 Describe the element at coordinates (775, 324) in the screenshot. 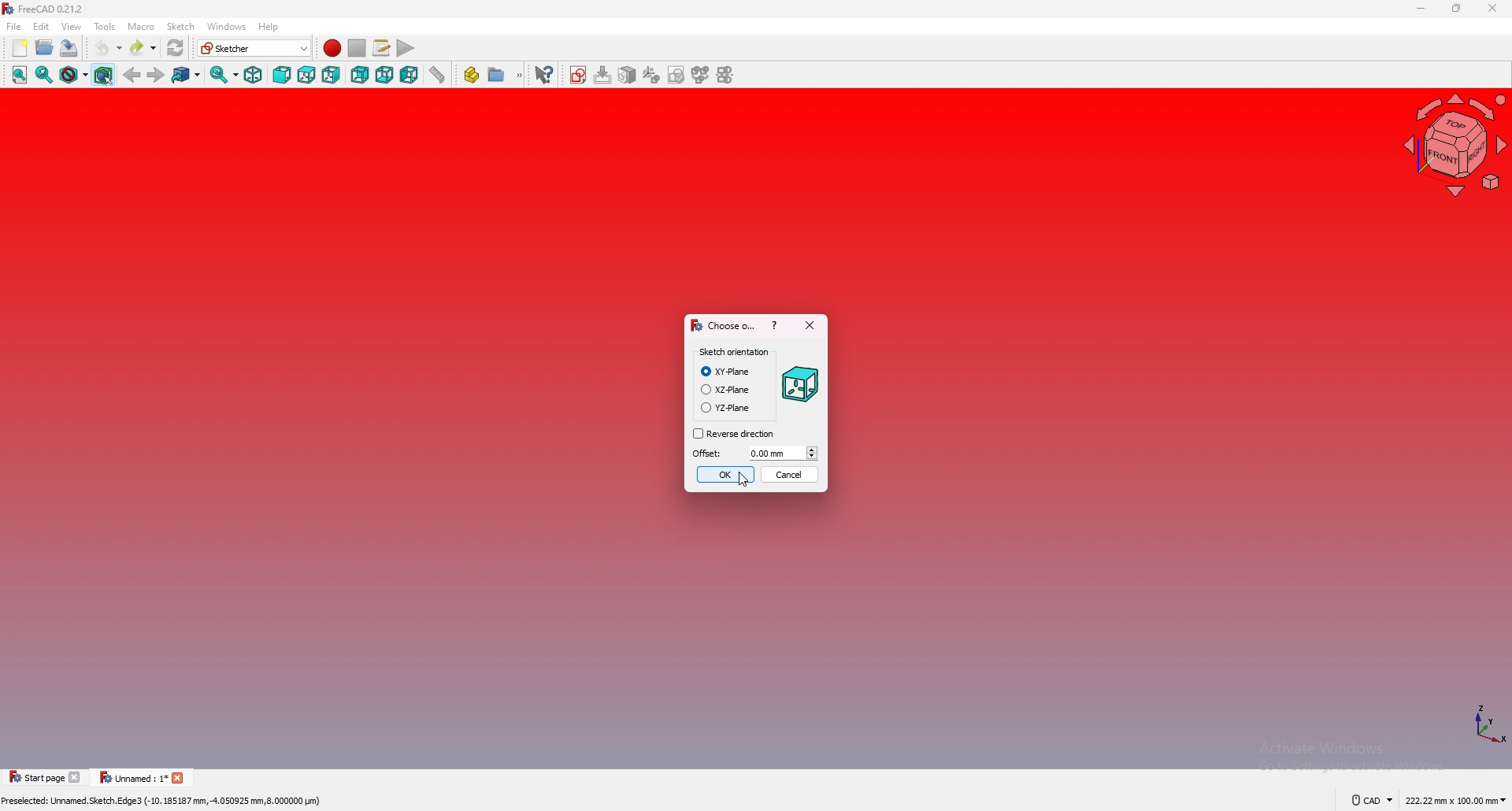

I see `help` at that location.